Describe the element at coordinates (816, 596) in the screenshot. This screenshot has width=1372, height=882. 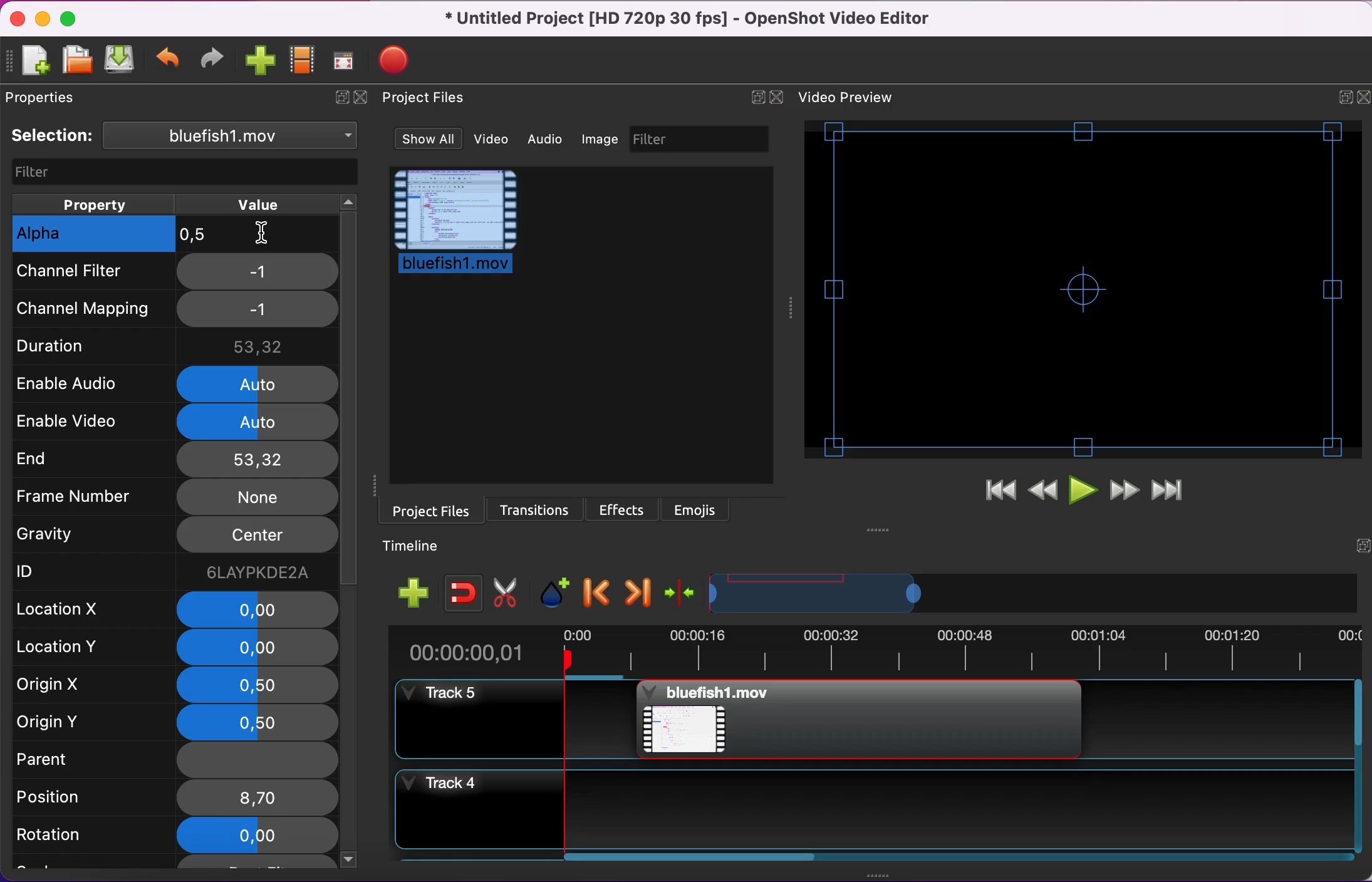
I see `timeline` at that location.